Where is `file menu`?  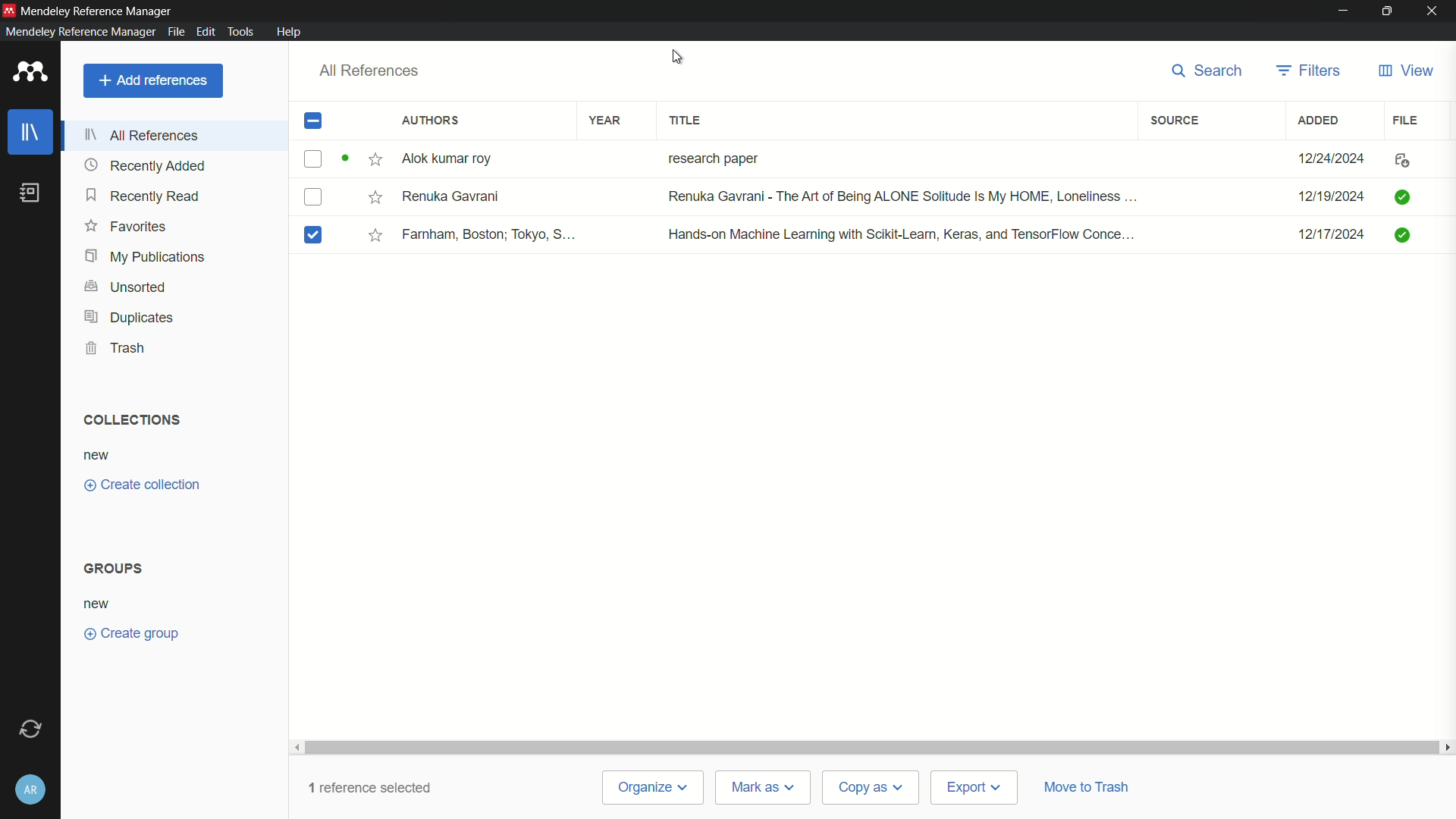 file menu is located at coordinates (177, 33).